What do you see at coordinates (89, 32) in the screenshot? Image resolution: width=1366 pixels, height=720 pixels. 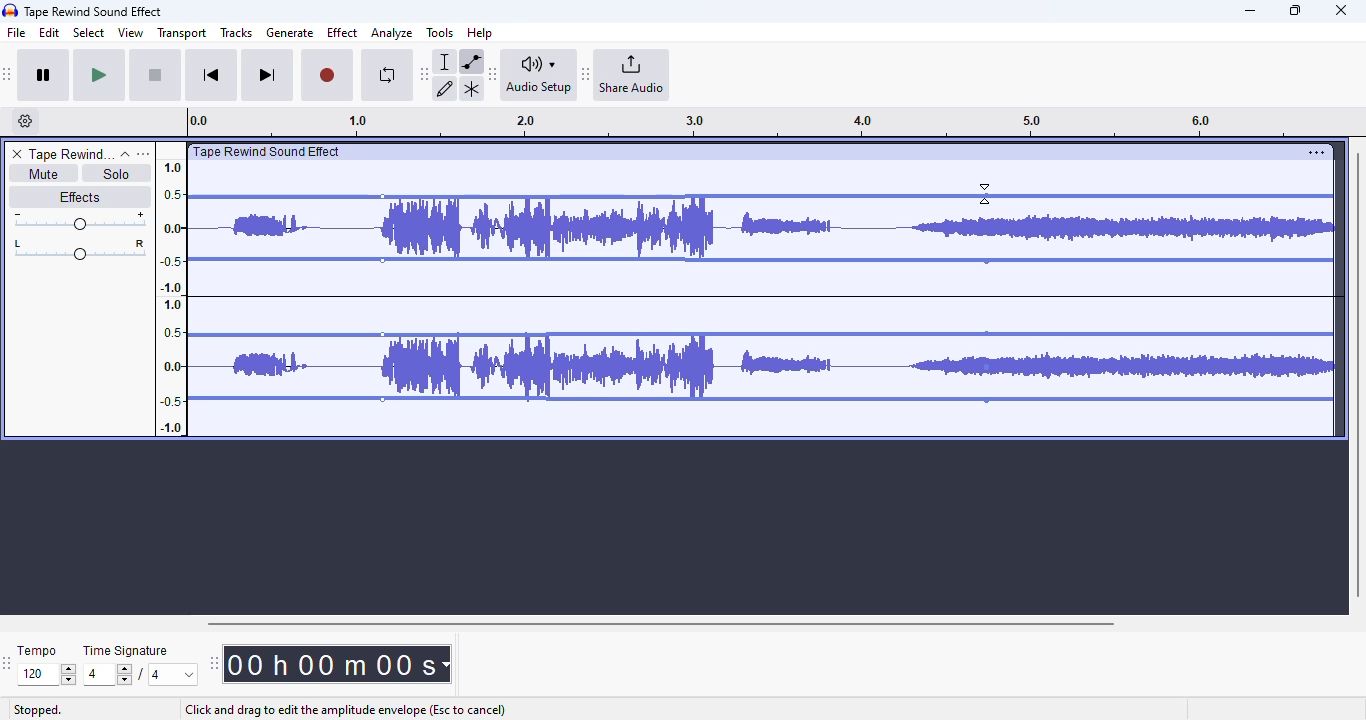 I see `select` at bounding box center [89, 32].